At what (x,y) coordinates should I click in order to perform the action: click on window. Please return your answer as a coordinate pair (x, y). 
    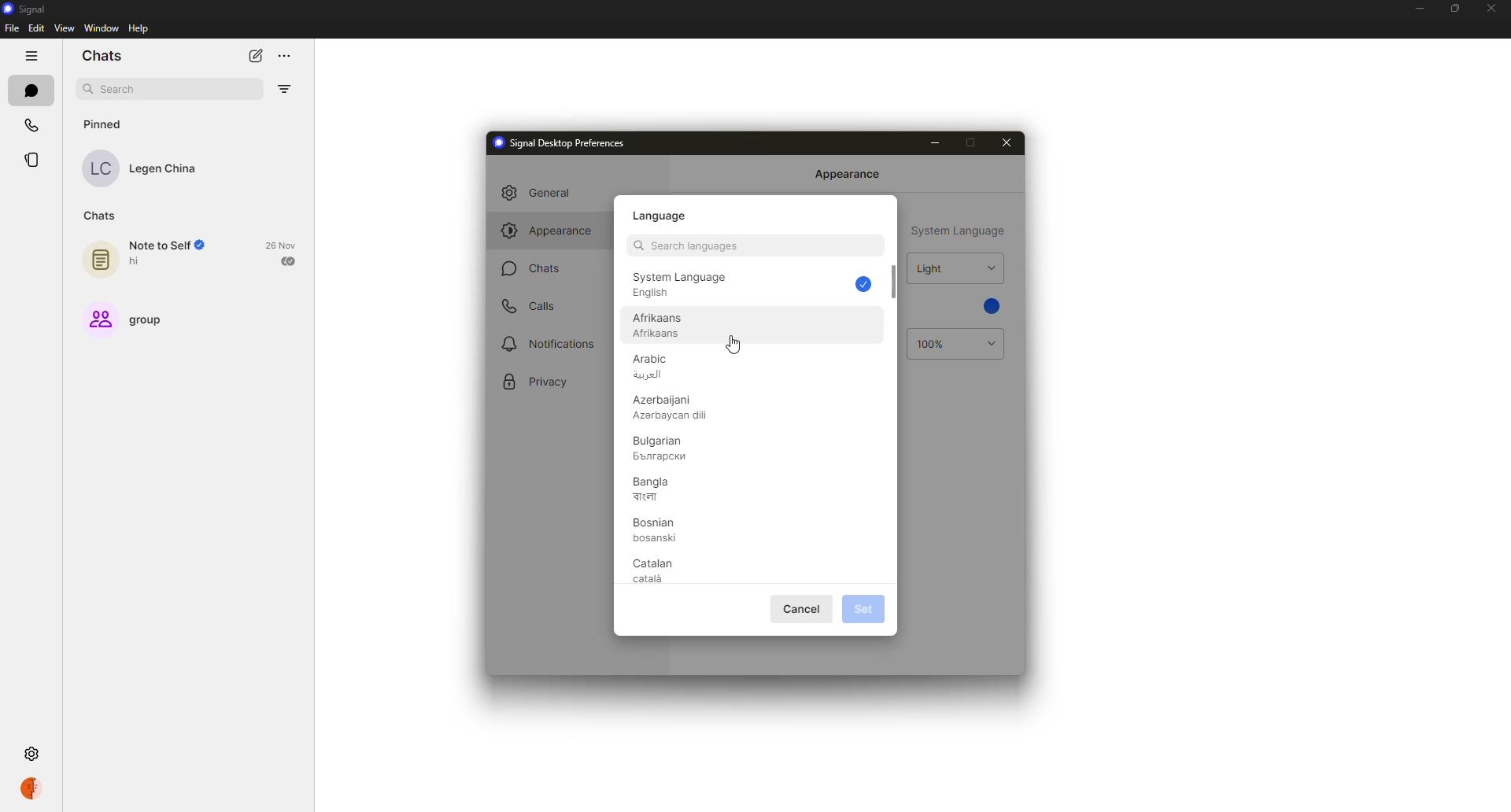
    Looking at the image, I should click on (101, 29).